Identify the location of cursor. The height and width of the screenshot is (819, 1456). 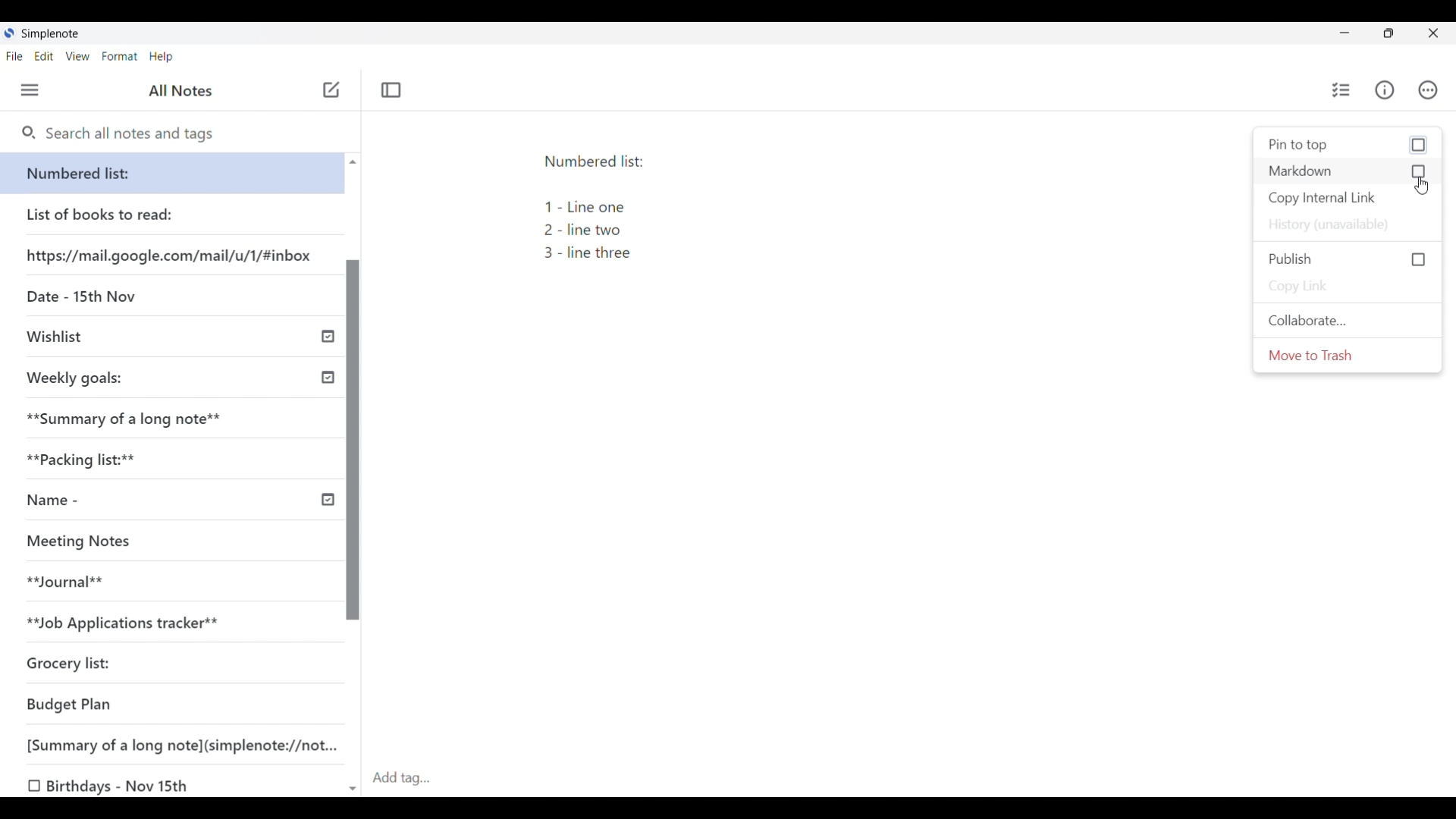
(1420, 188).